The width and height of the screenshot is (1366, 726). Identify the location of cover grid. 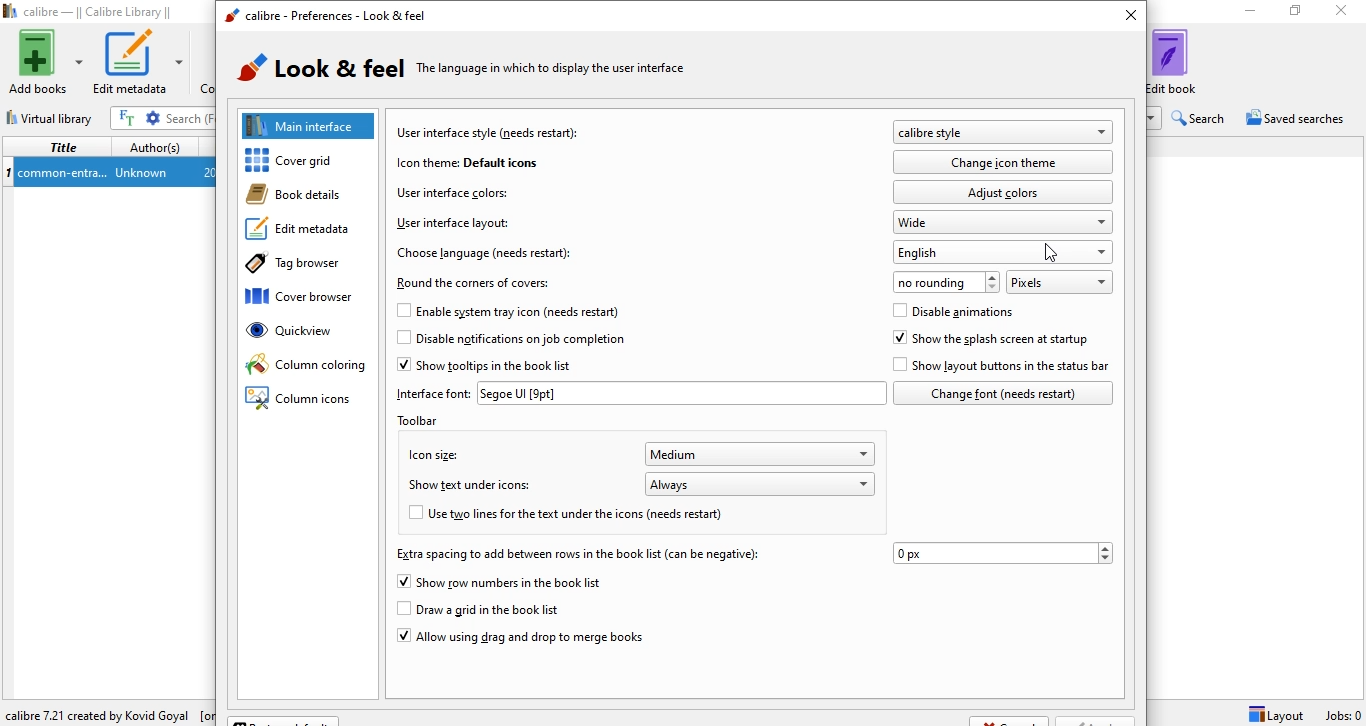
(313, 161).